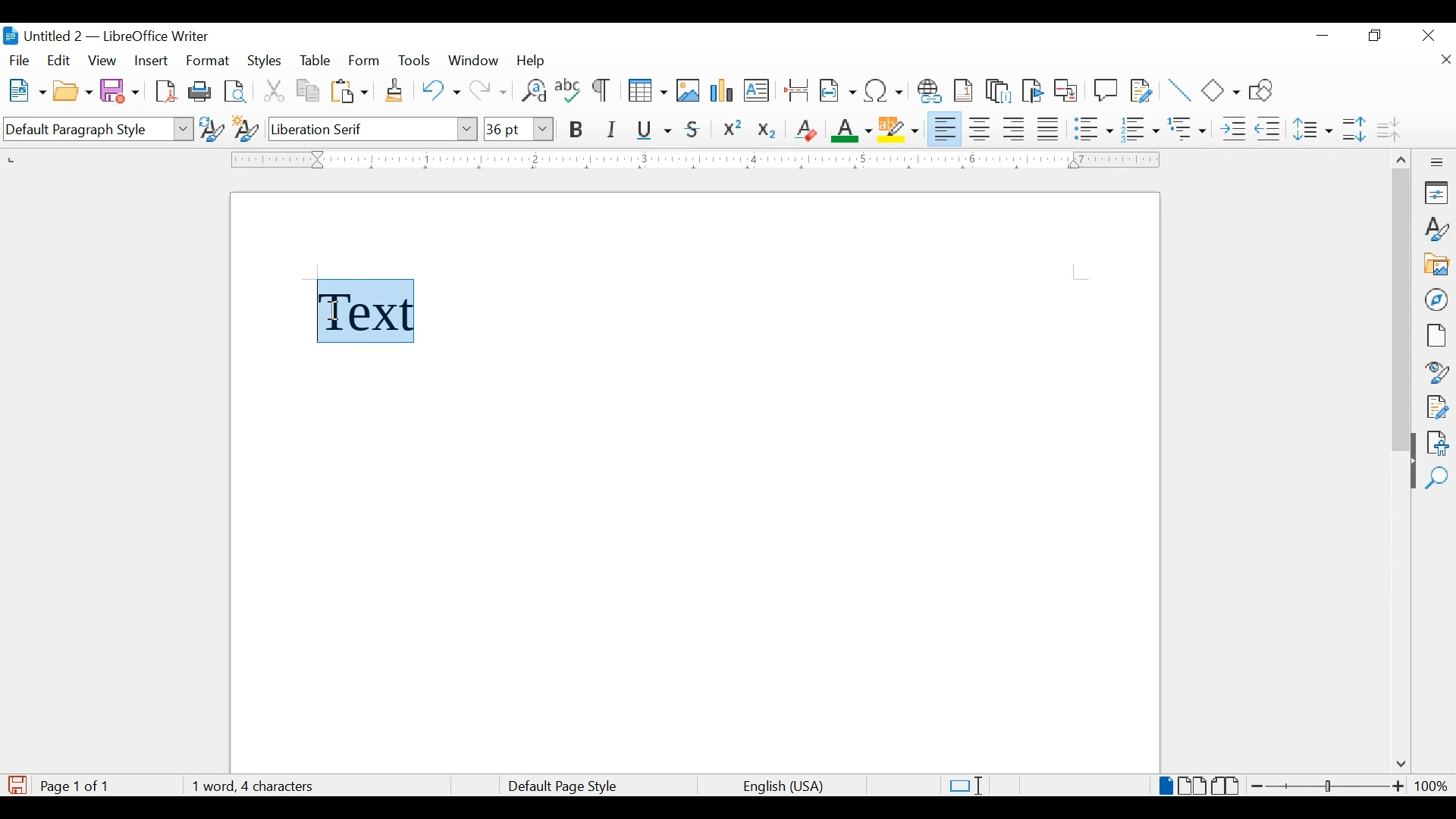  I want to click on strikethrough, so click(693, 130).